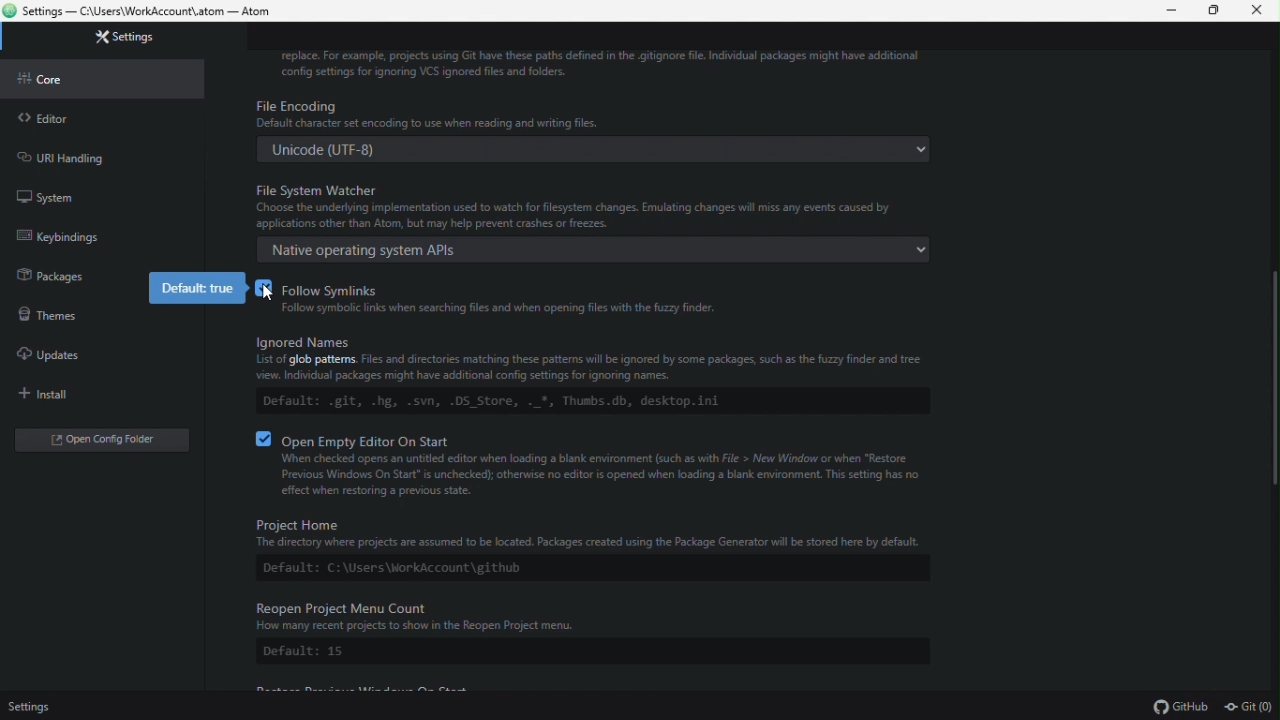  I want to click on Key bindings, so click(95, 236).